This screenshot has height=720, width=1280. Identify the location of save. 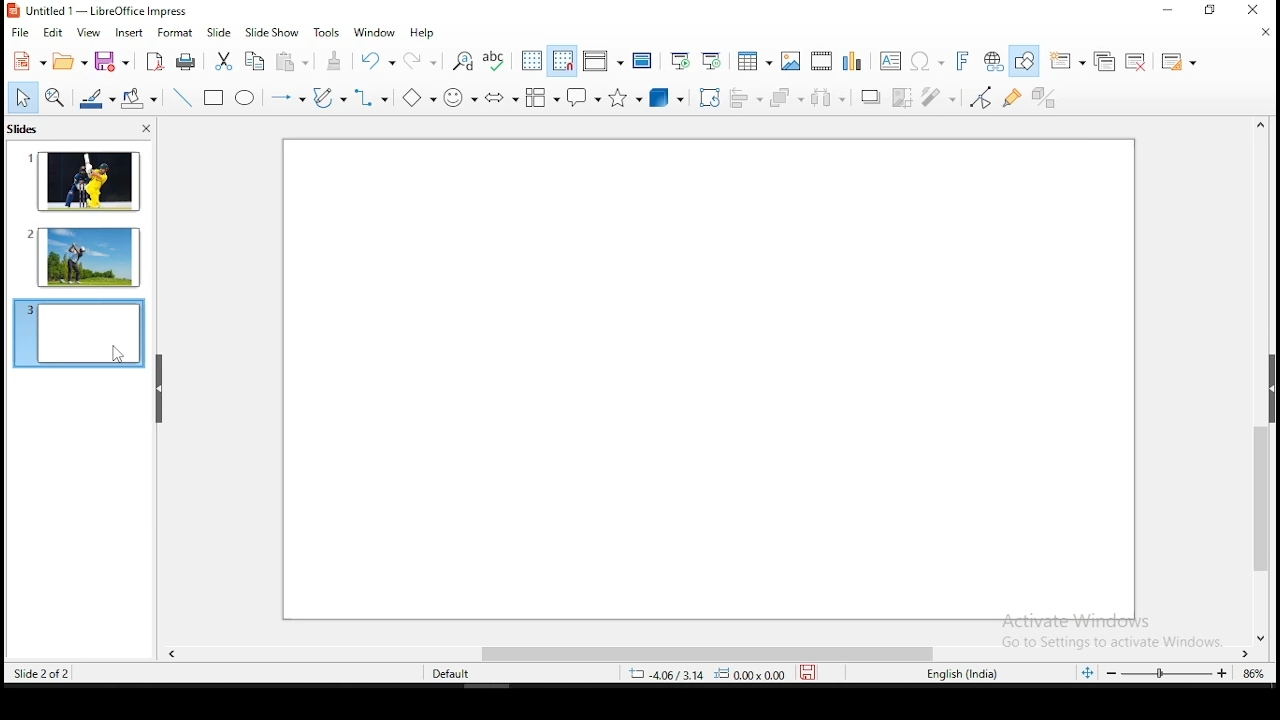
(113, 63).